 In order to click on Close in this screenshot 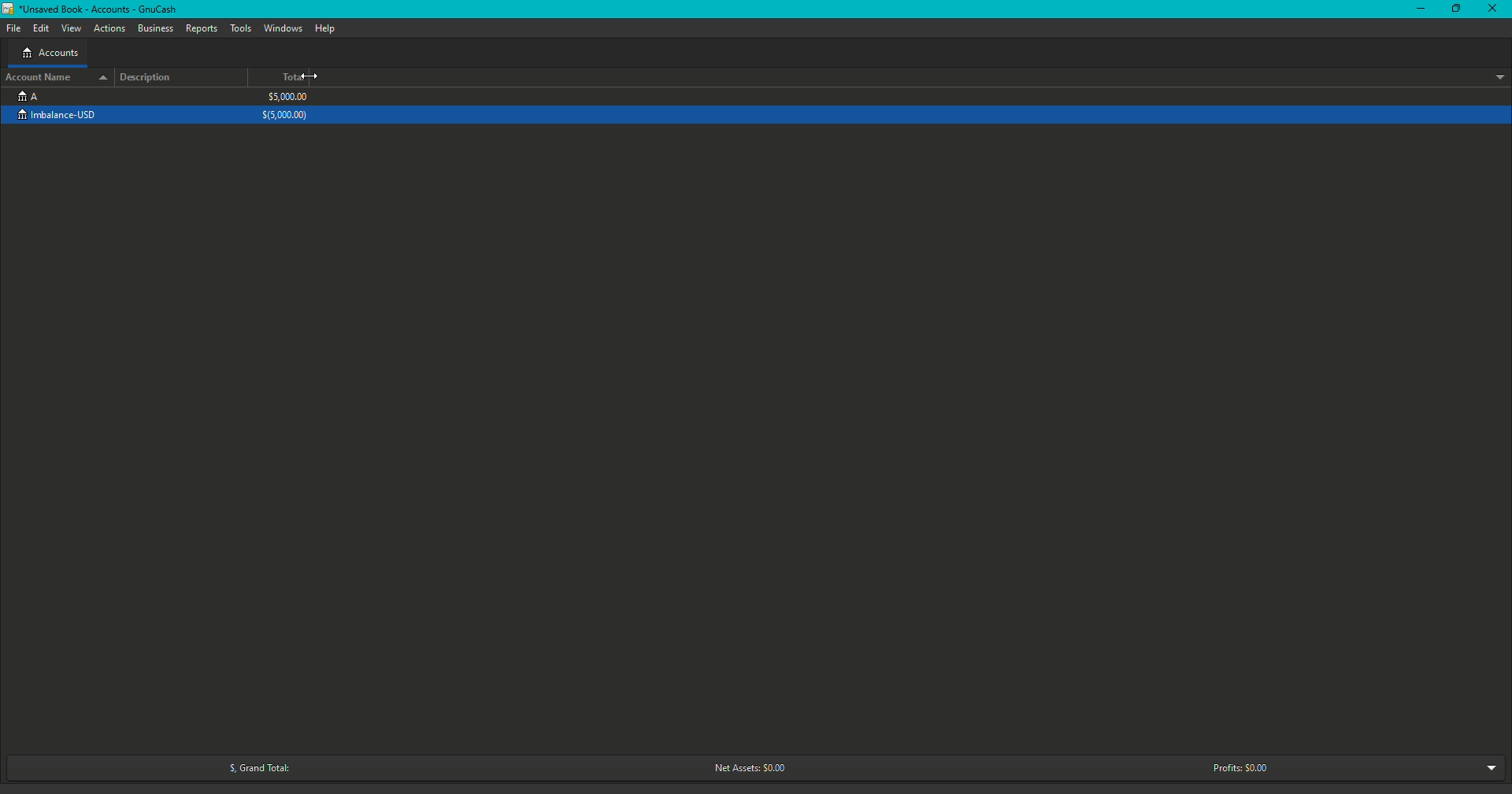, I will do `click(1495, 10)`.